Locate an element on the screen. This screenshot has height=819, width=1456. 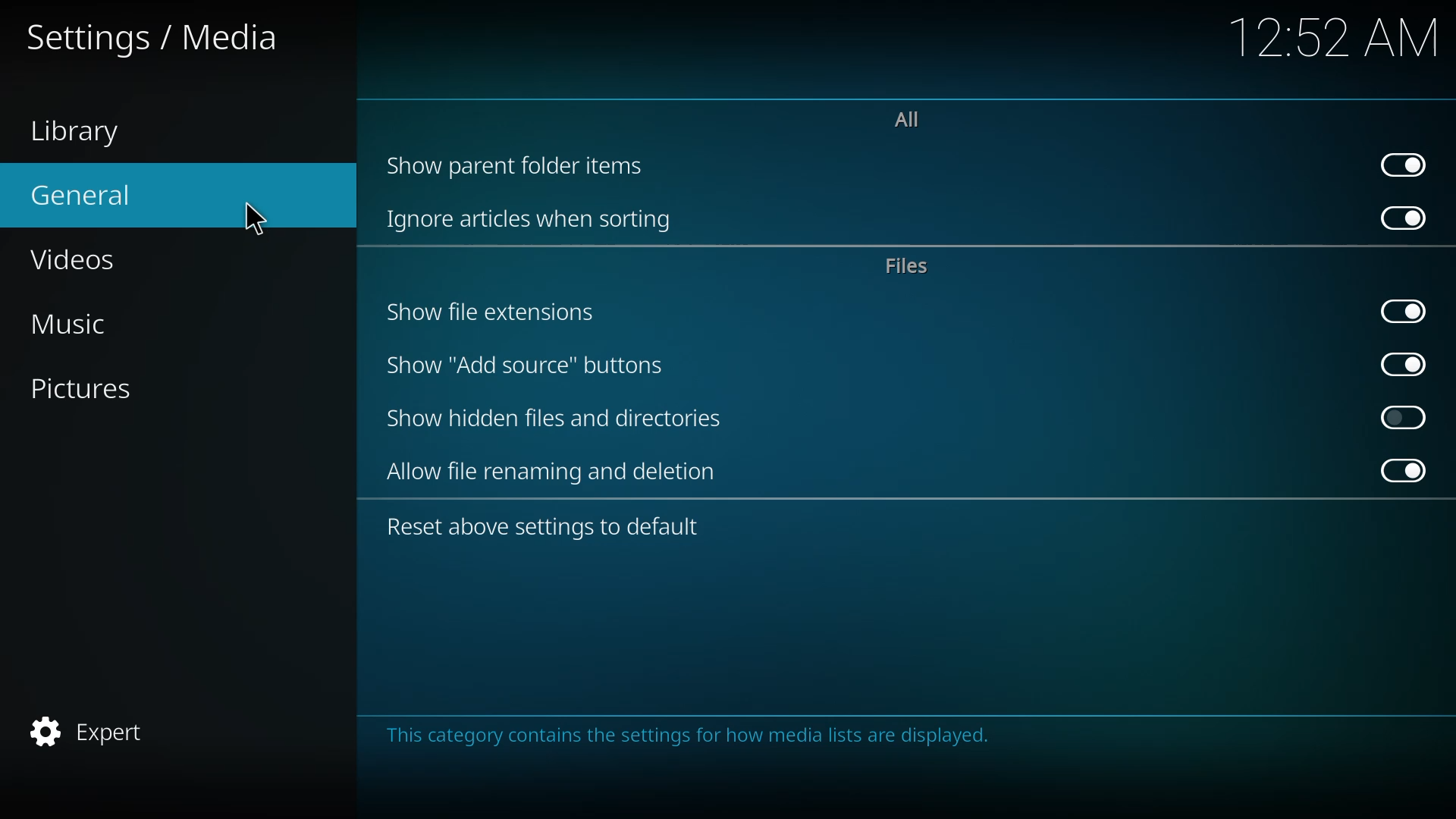
show add source button is located at coordinates (526, 366).